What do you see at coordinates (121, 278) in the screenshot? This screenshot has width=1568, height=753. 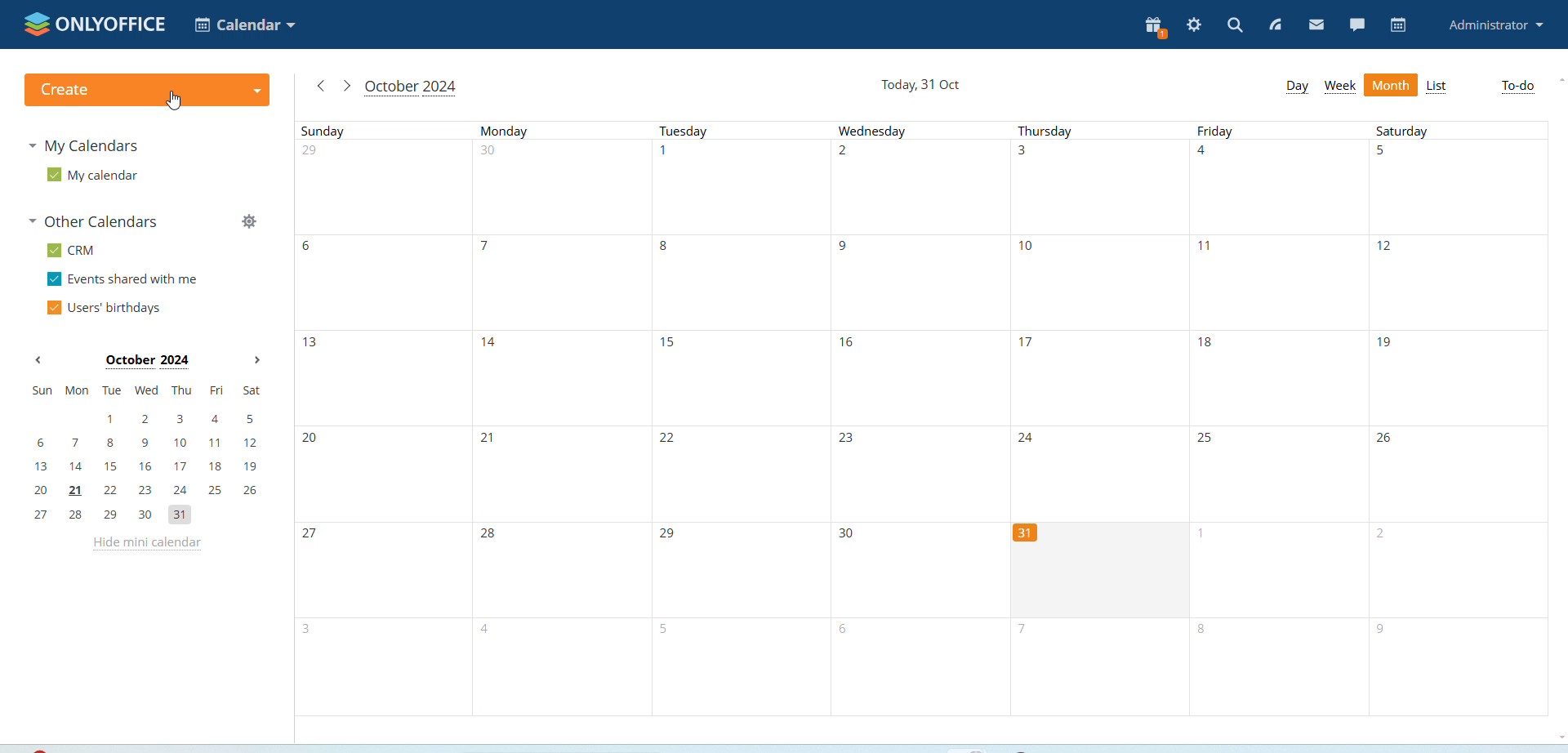 I see `events shared with me` at bounding box center [121, 278].